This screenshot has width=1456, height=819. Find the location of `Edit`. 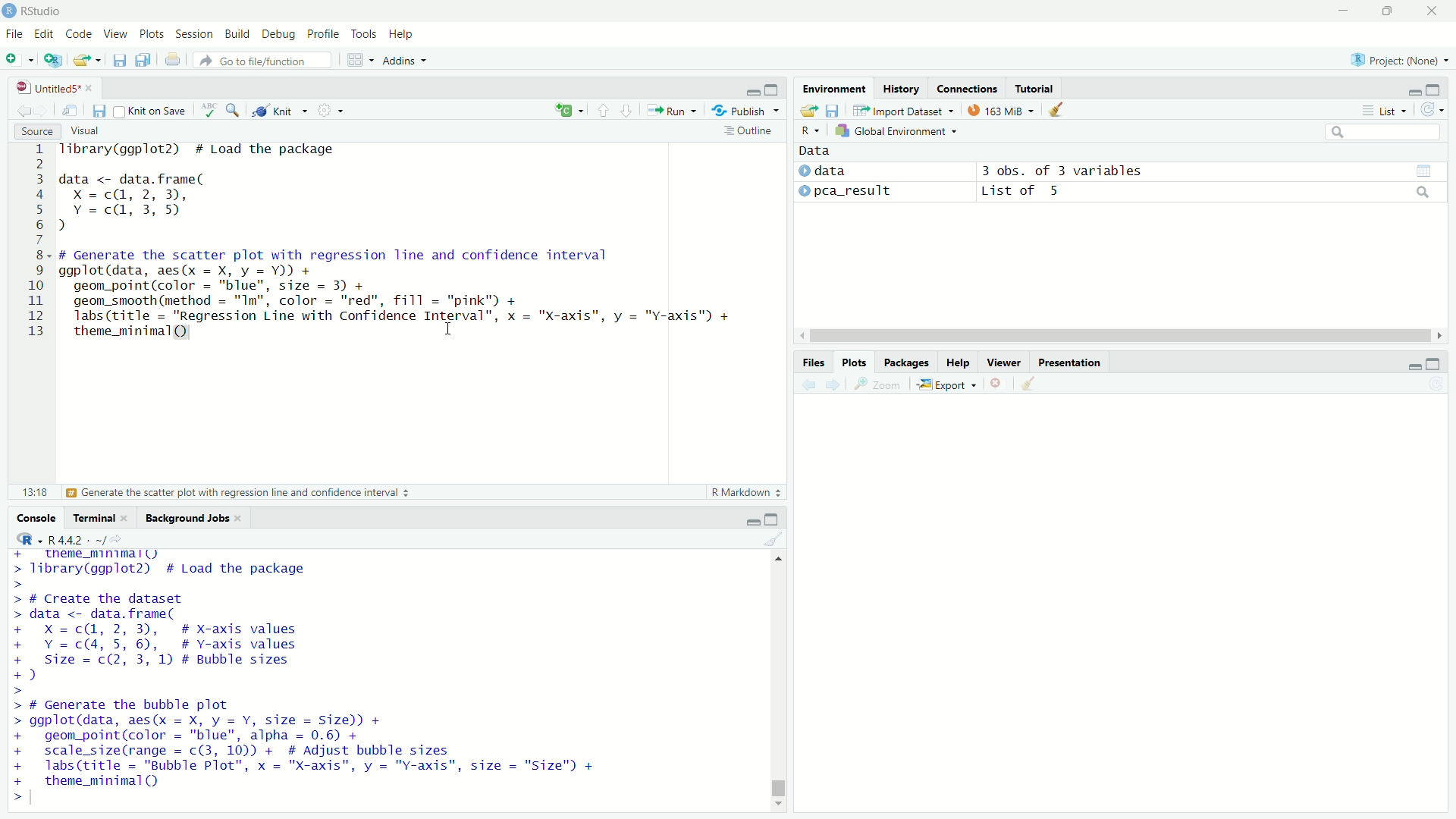

Edit is located at coordinates (44, 33).